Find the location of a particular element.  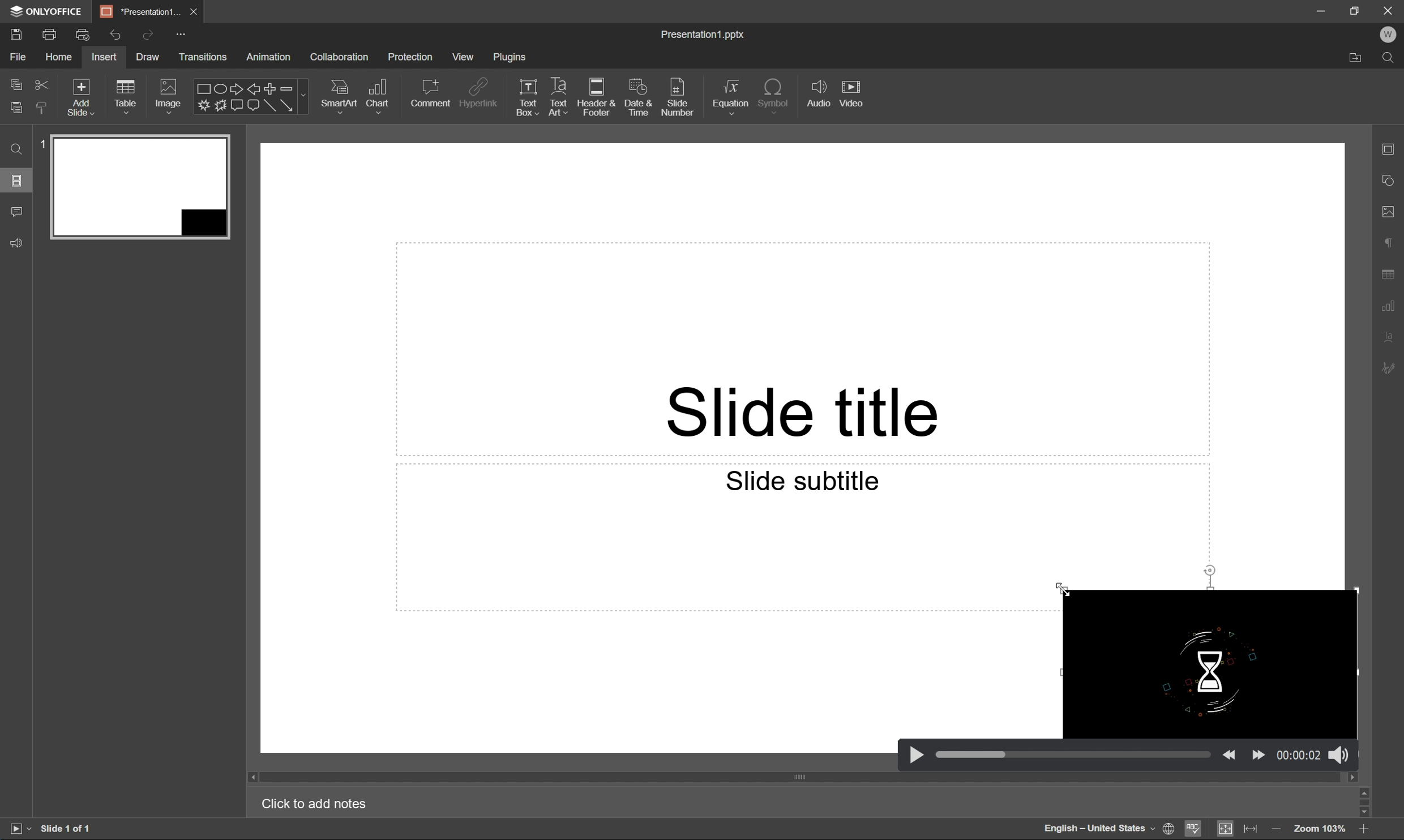

shape settings is located at coordinates (1390, 179).